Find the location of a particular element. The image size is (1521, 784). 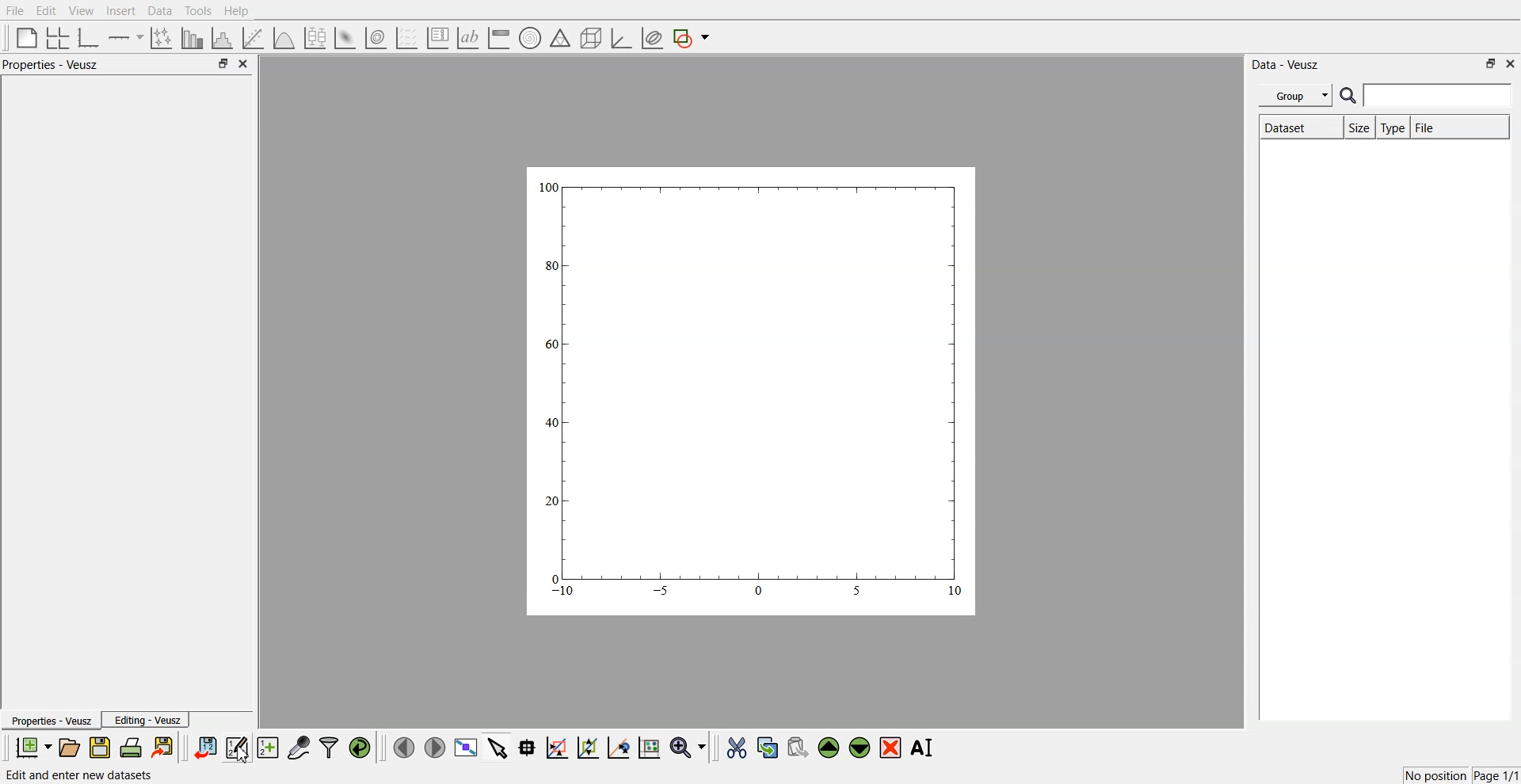

move right is located at coordinates (434, 746).